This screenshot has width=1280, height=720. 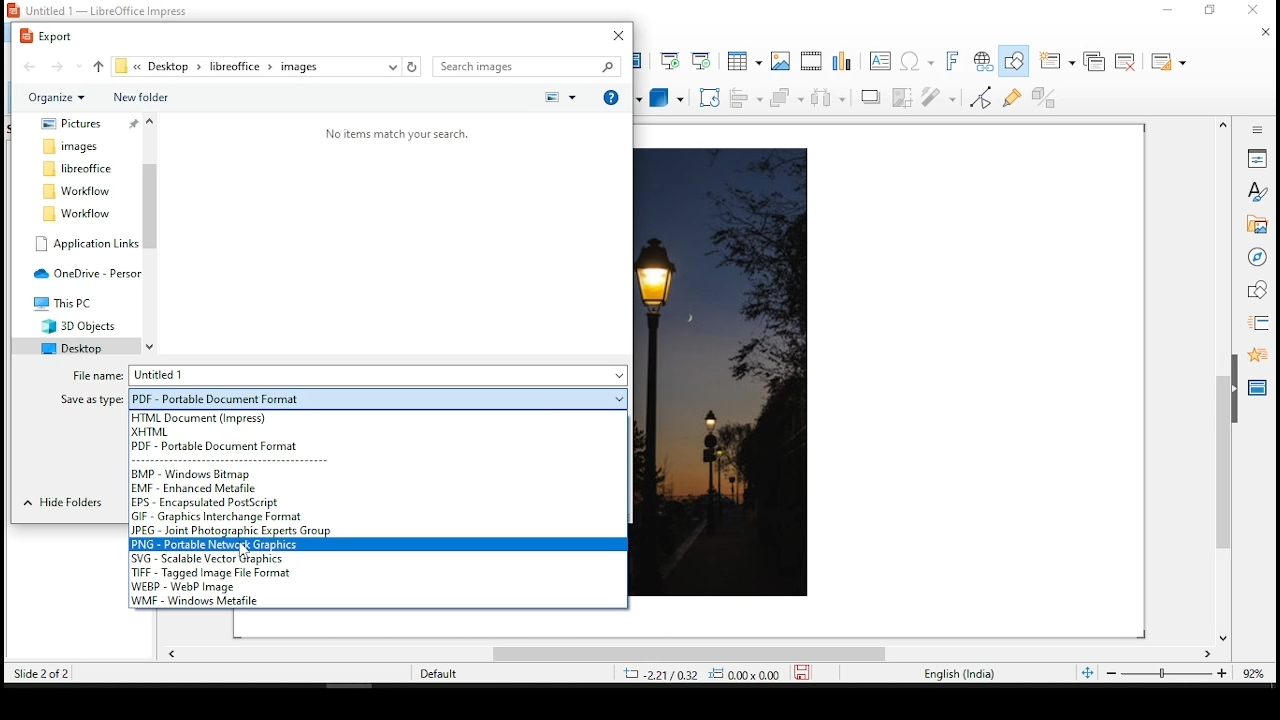 I want to click on folder, so click(x=70, y=346).